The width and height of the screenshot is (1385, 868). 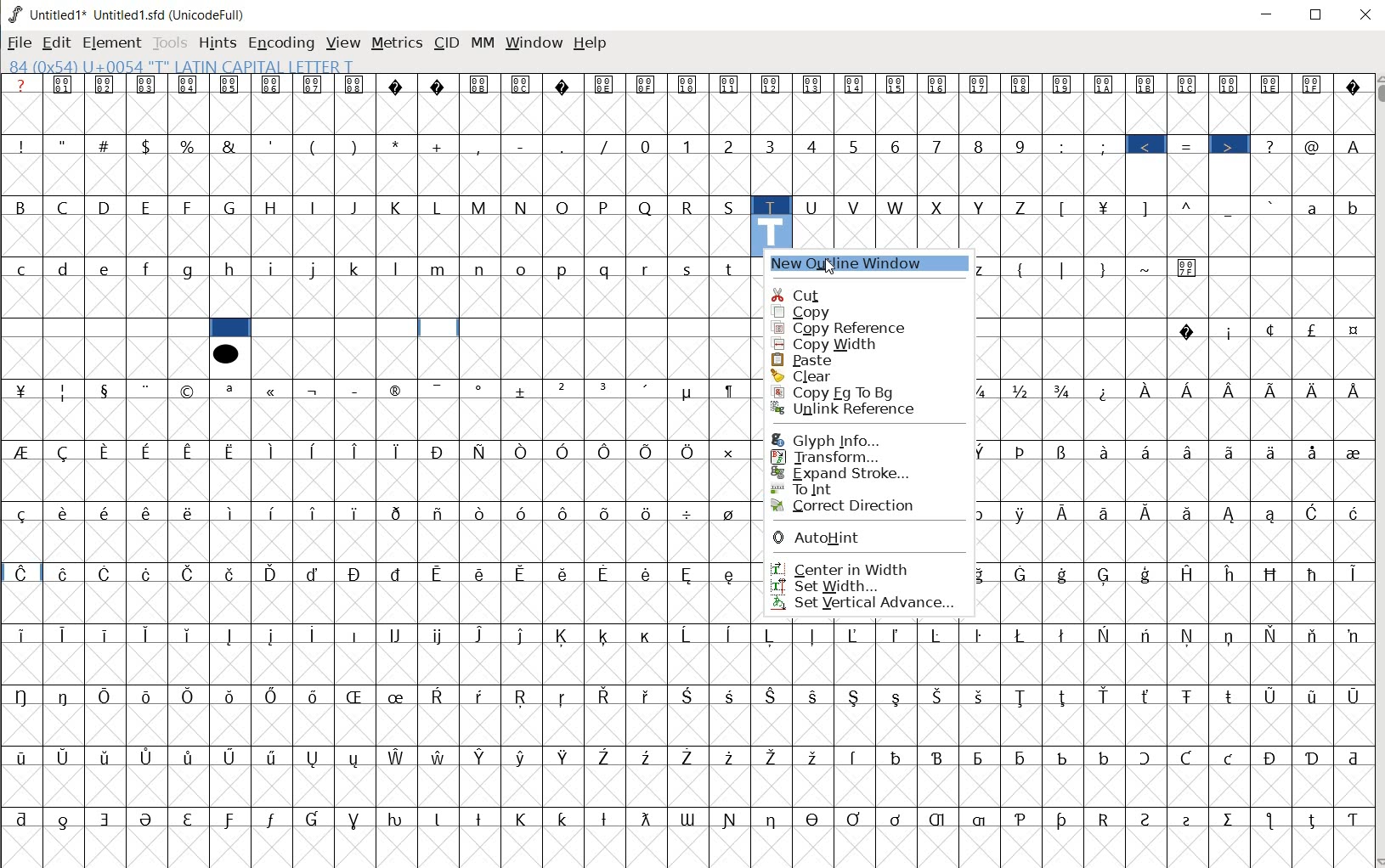 What do you see at coordinates (1150, 391) in the screenshot?
I see `Symbol` at bounding box center [1150, 391].